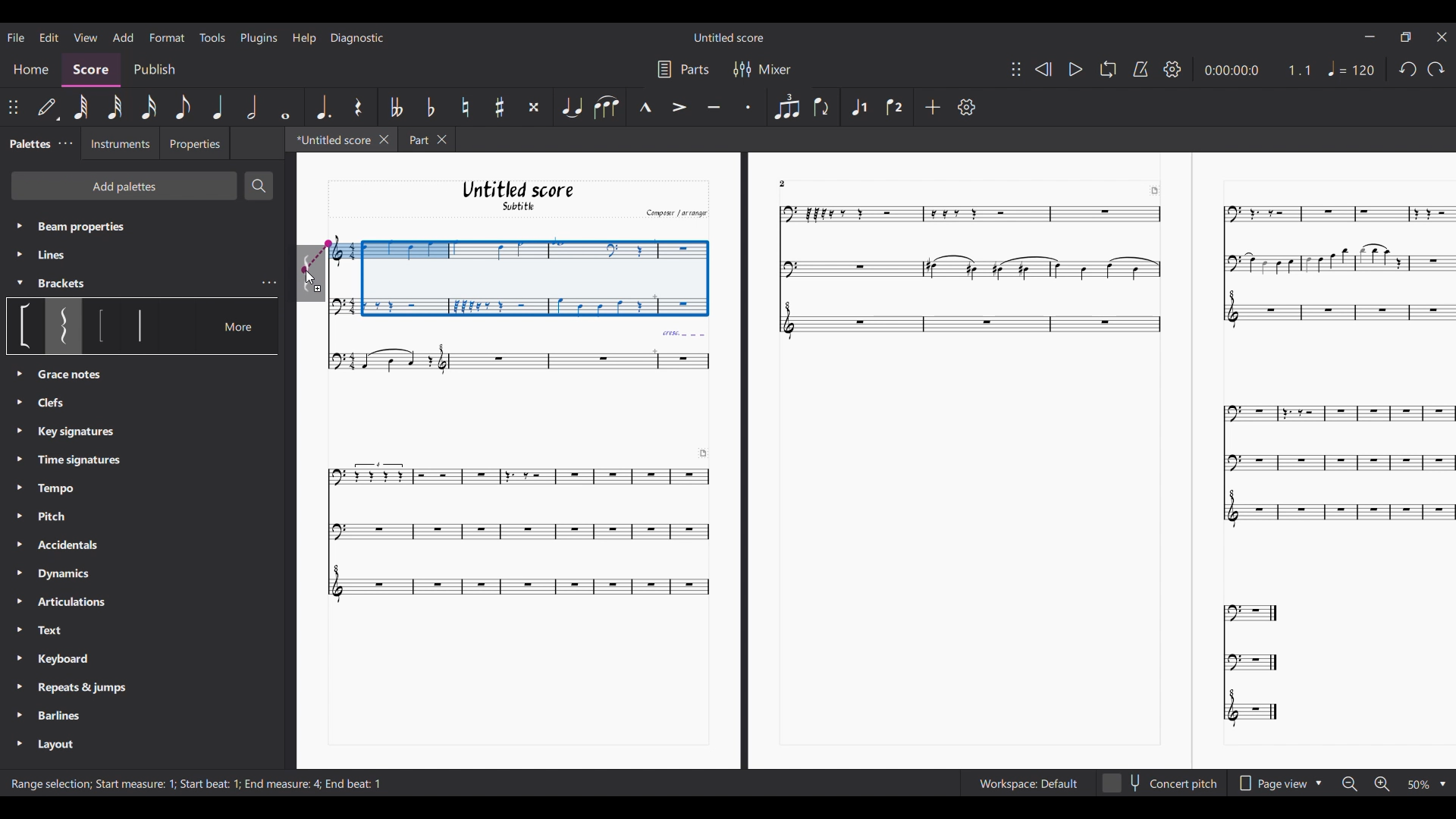 The width and height of the screenshot is (1456, 819). I want to click on Zoom out, so click(1350, 785).